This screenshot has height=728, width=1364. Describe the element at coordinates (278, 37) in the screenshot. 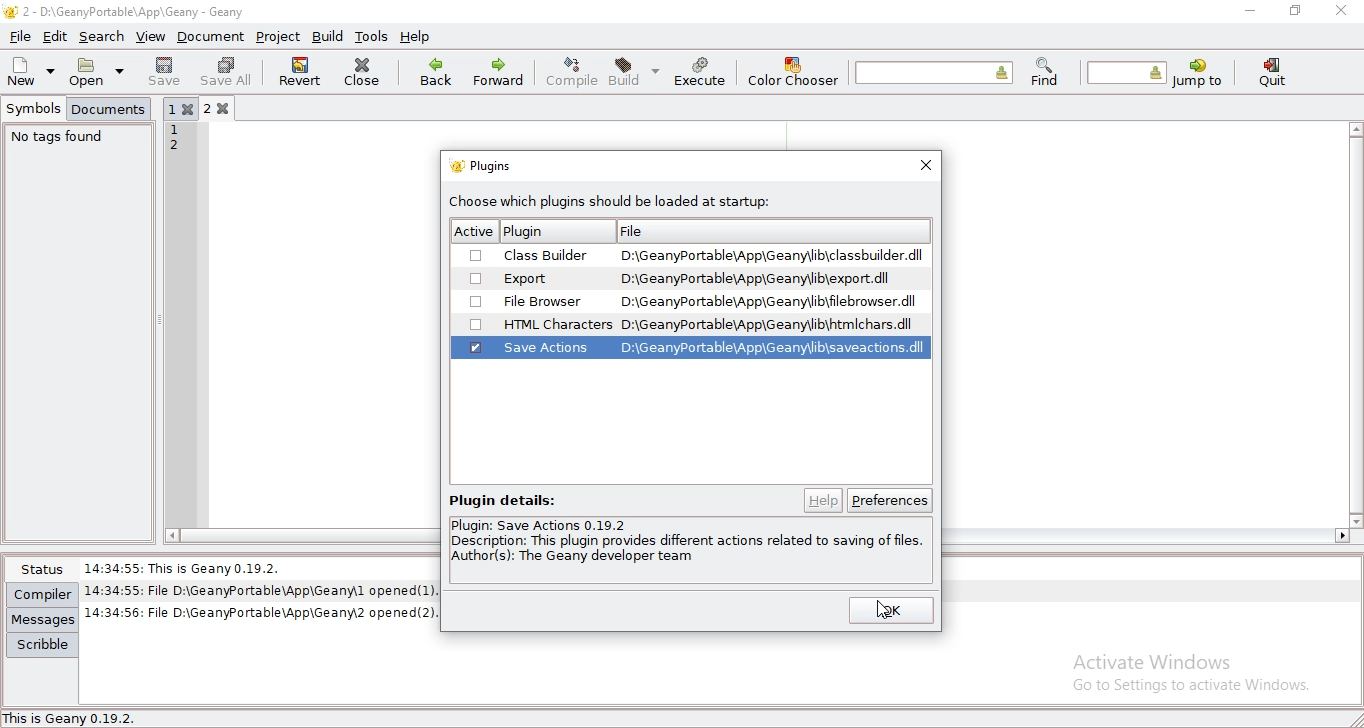

I see `project` at that location.